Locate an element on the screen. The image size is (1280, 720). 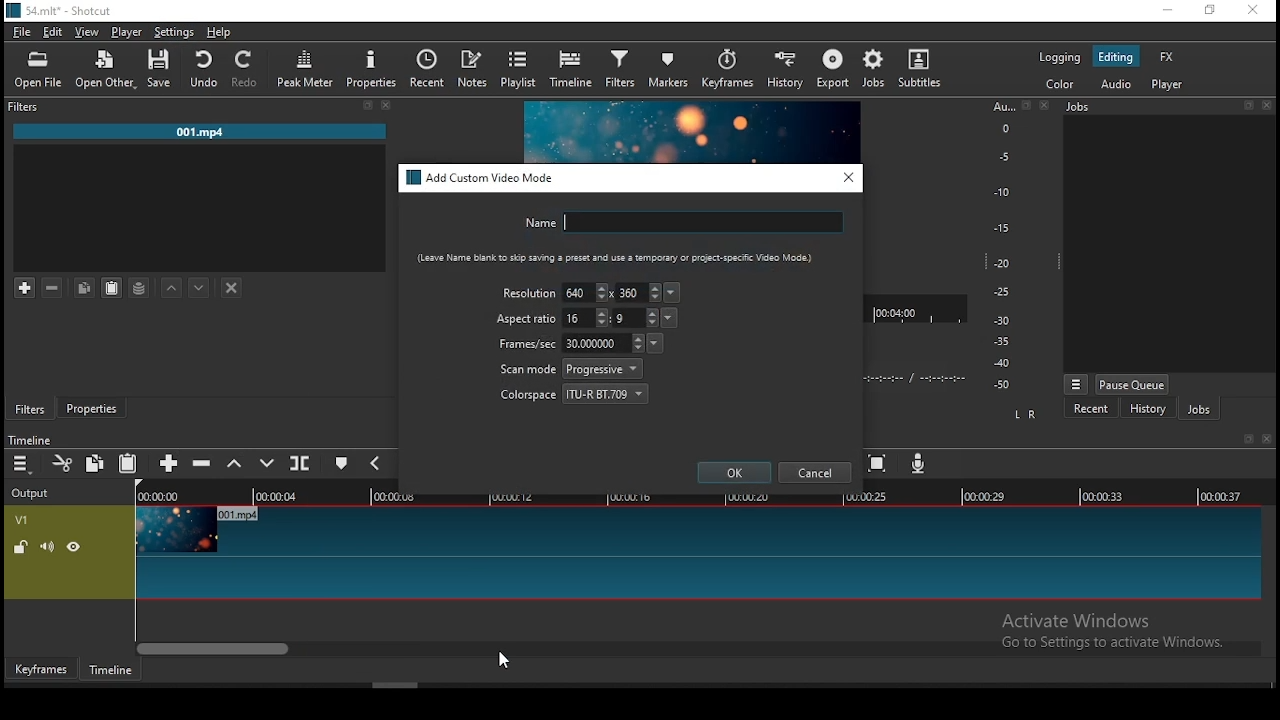
scan mode is located at coordinates (571, 369).